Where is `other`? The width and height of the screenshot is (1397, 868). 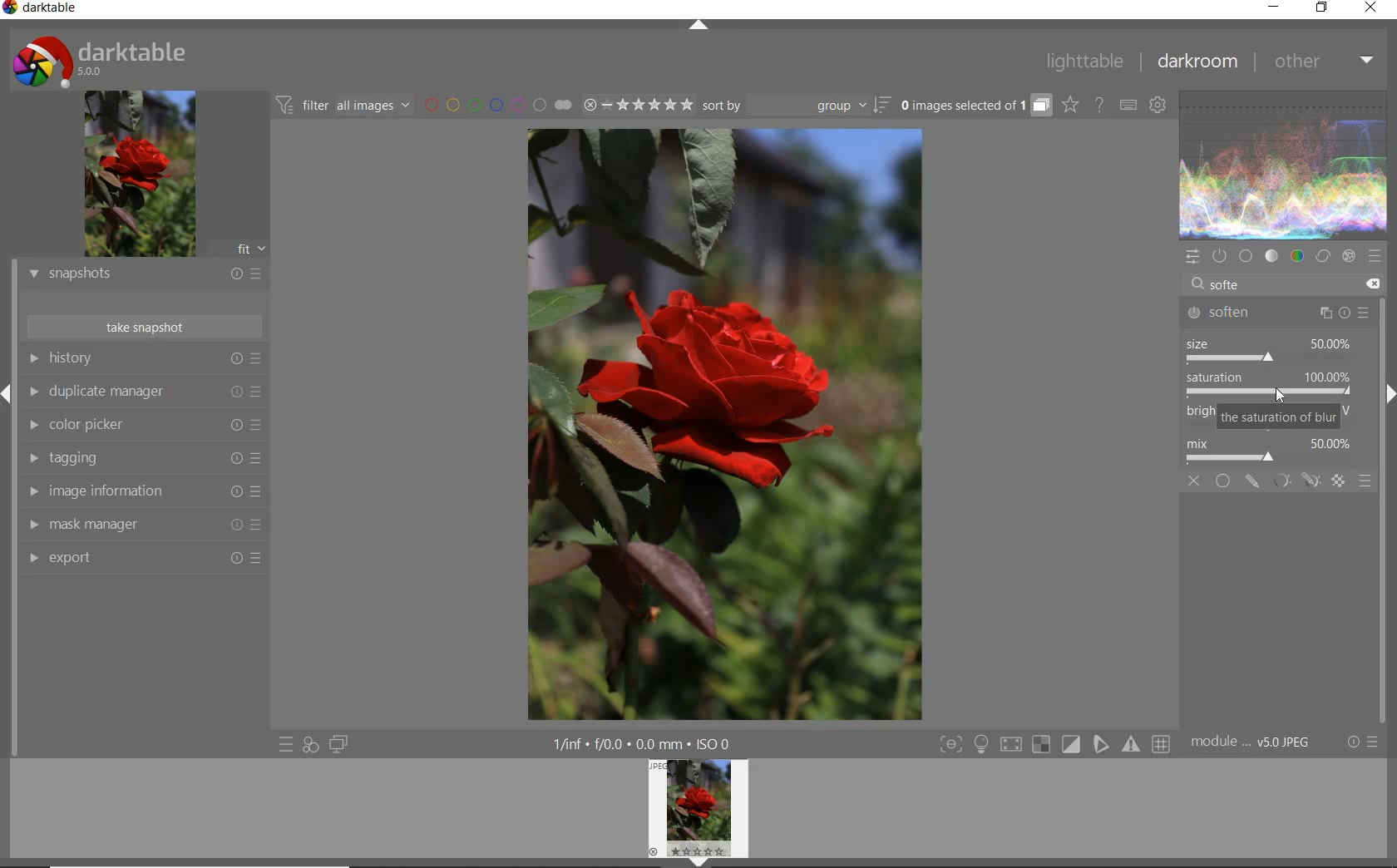 other is located at coordinates (1322, 63).